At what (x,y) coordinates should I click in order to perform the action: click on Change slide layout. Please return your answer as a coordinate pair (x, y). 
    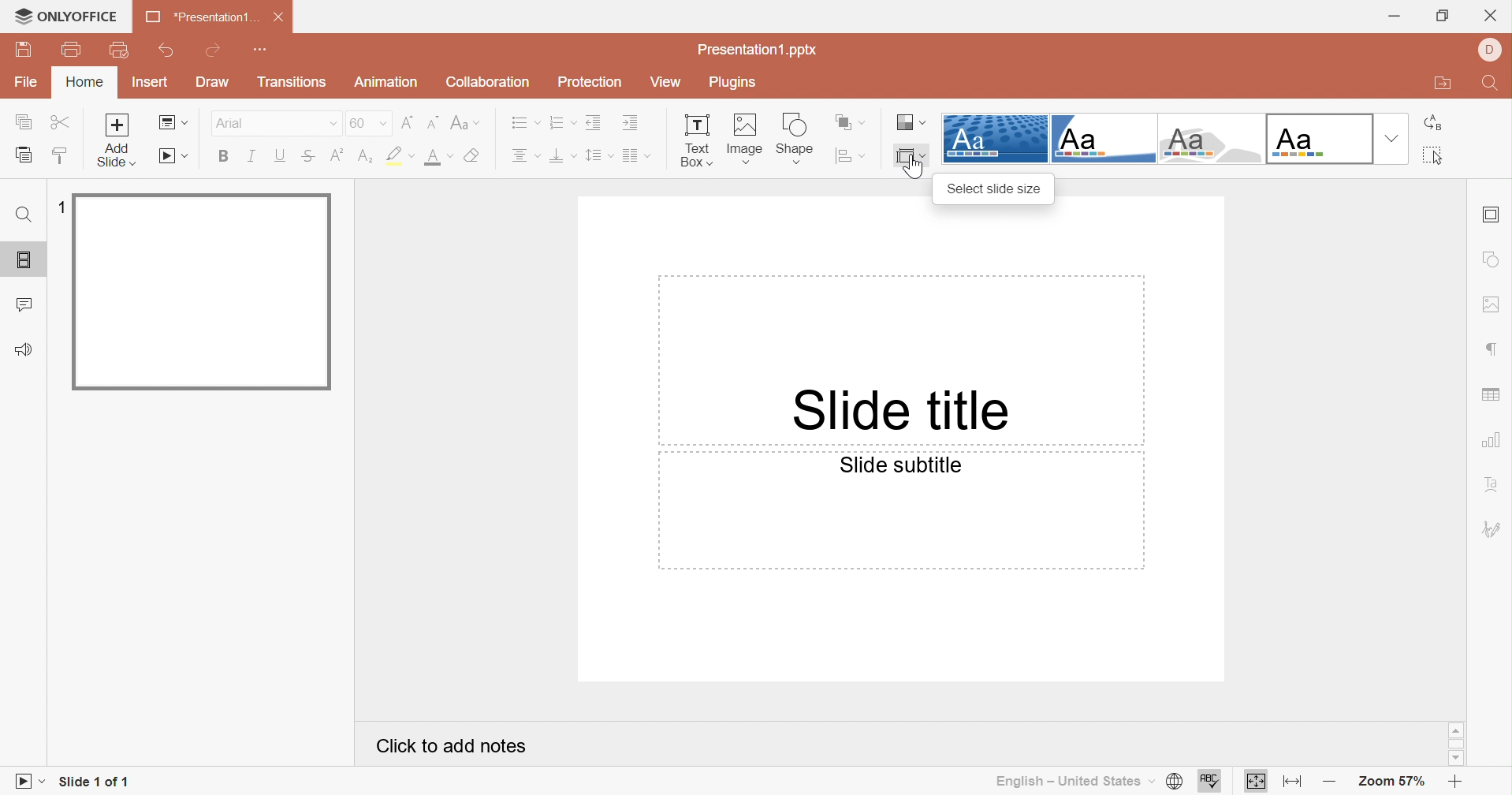
    Looking at the image, I should click on (173, 121).